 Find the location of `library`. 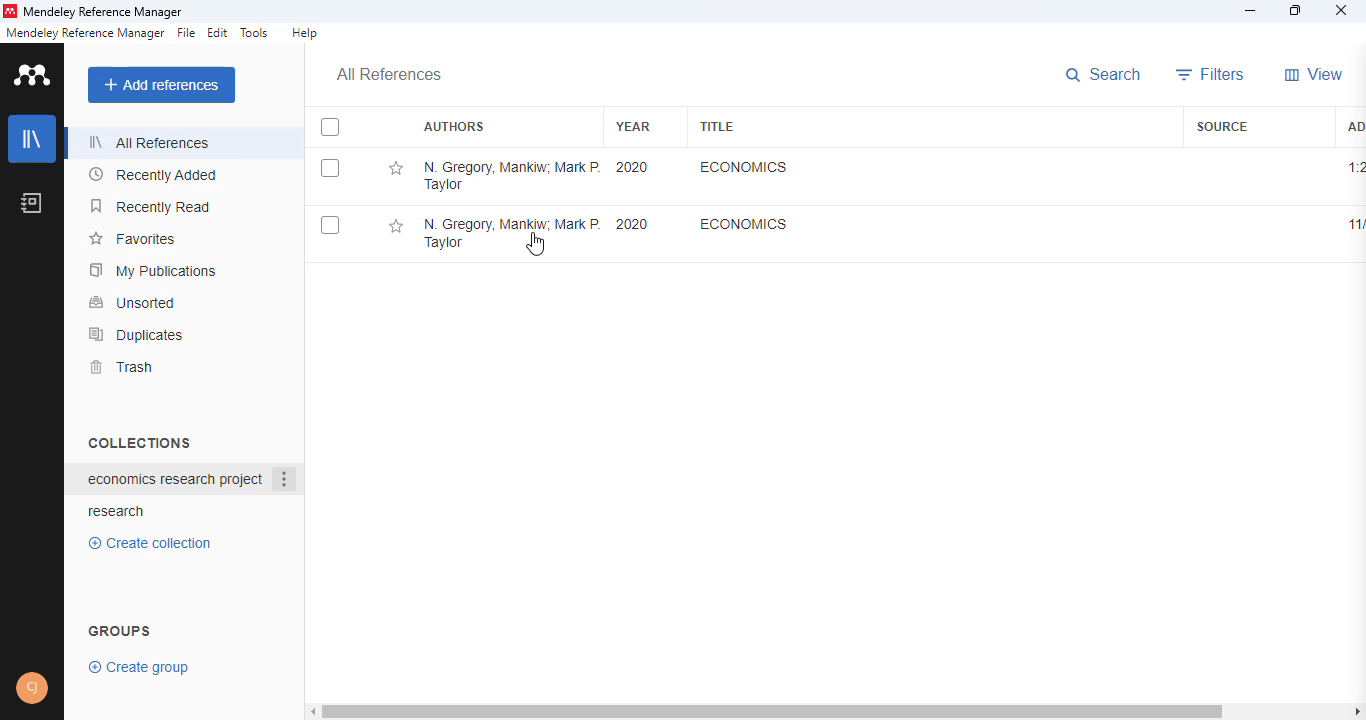

library is located at coordinates (33, 139).